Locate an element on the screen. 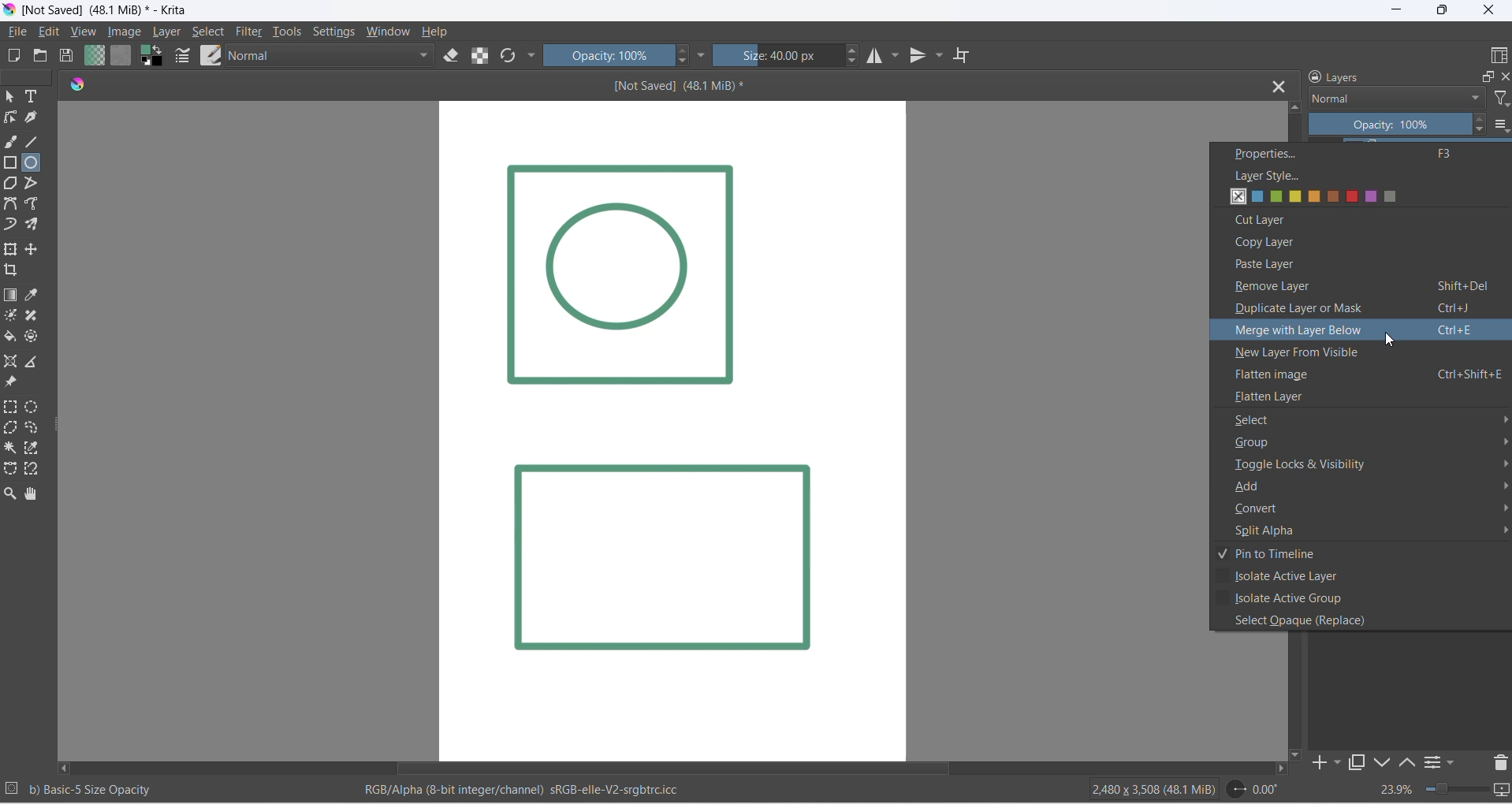 This screenshot has height=804, width=1512. multibrush tool is located at coordinates (35, 225).